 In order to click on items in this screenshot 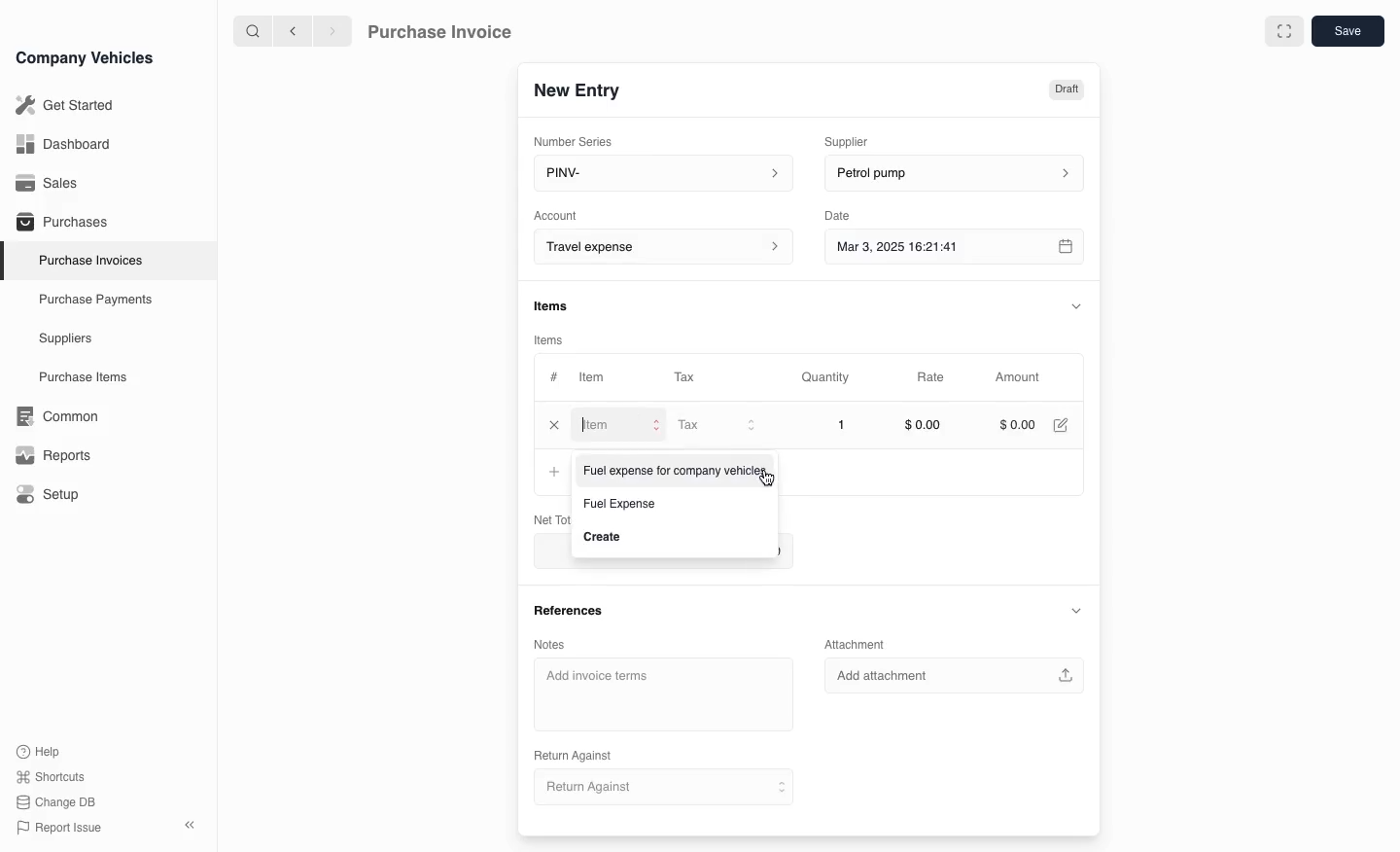, I will do `click(552, 339)`.